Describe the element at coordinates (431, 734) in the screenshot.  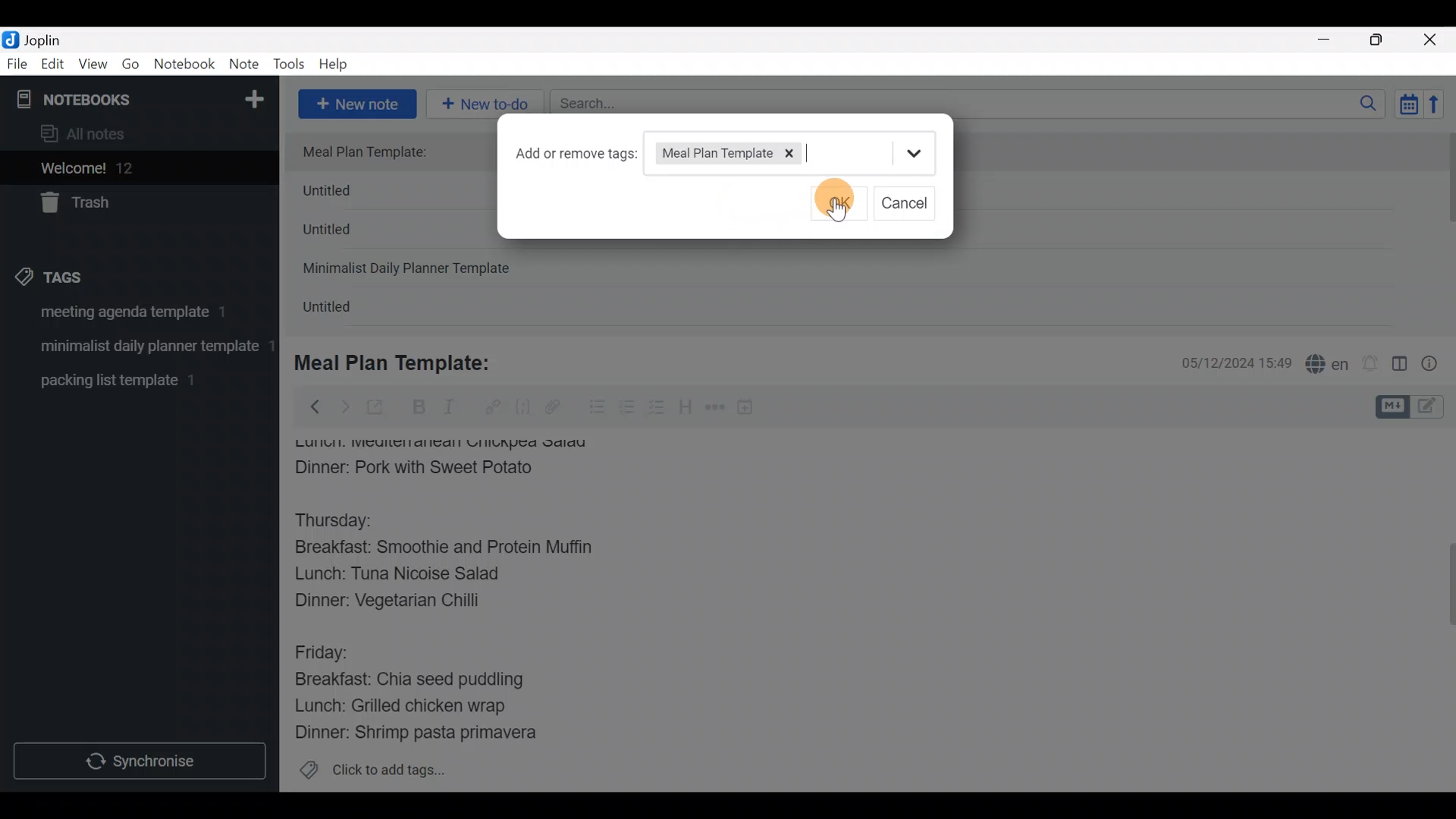
I see `Dinner: Shrimp pasta primavera` at that location.